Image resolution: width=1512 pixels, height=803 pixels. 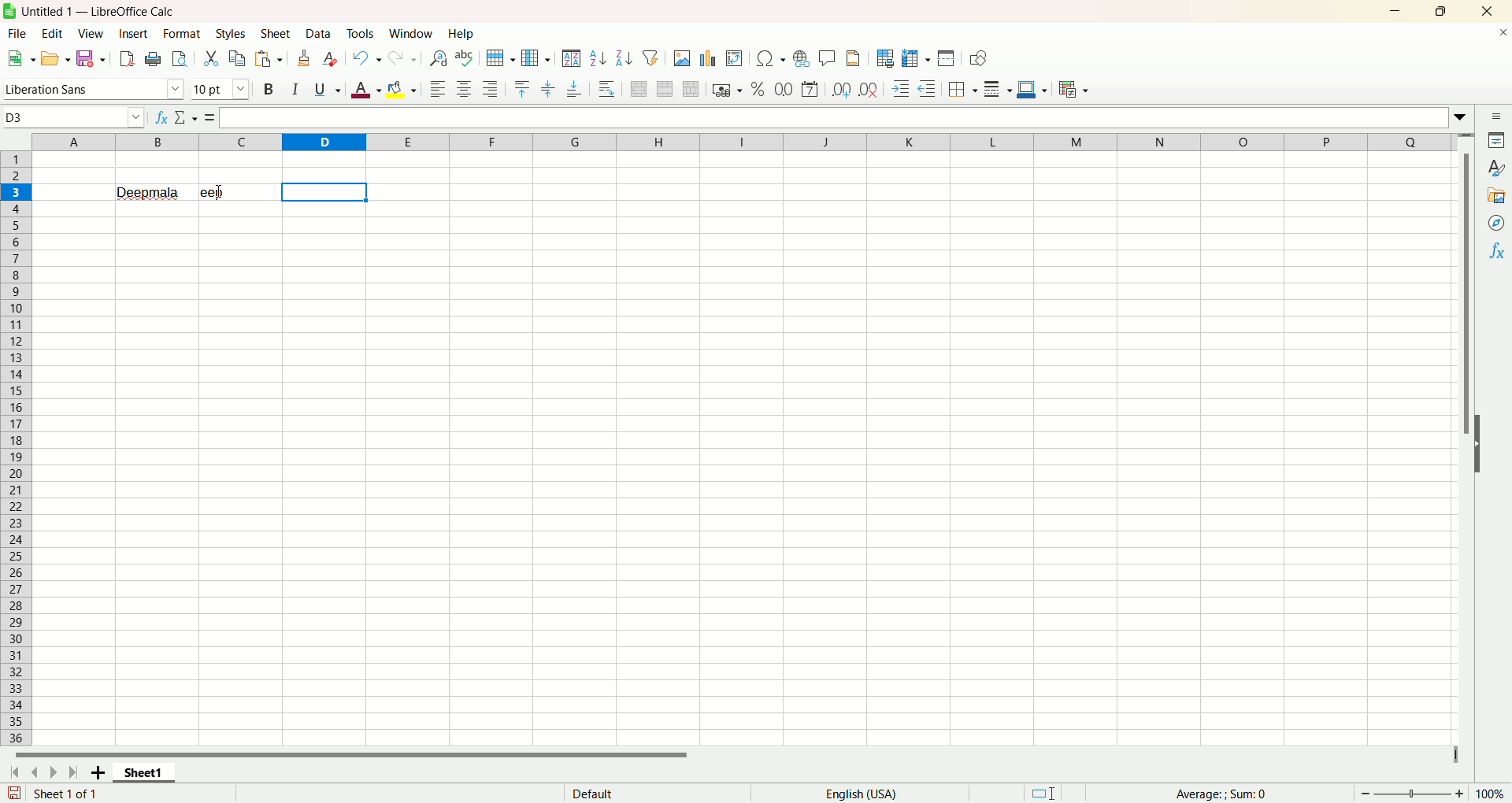 What do you see at coordinates (321, 33) in the screenshot?
I see `Data` at bounding box center [321, 33].